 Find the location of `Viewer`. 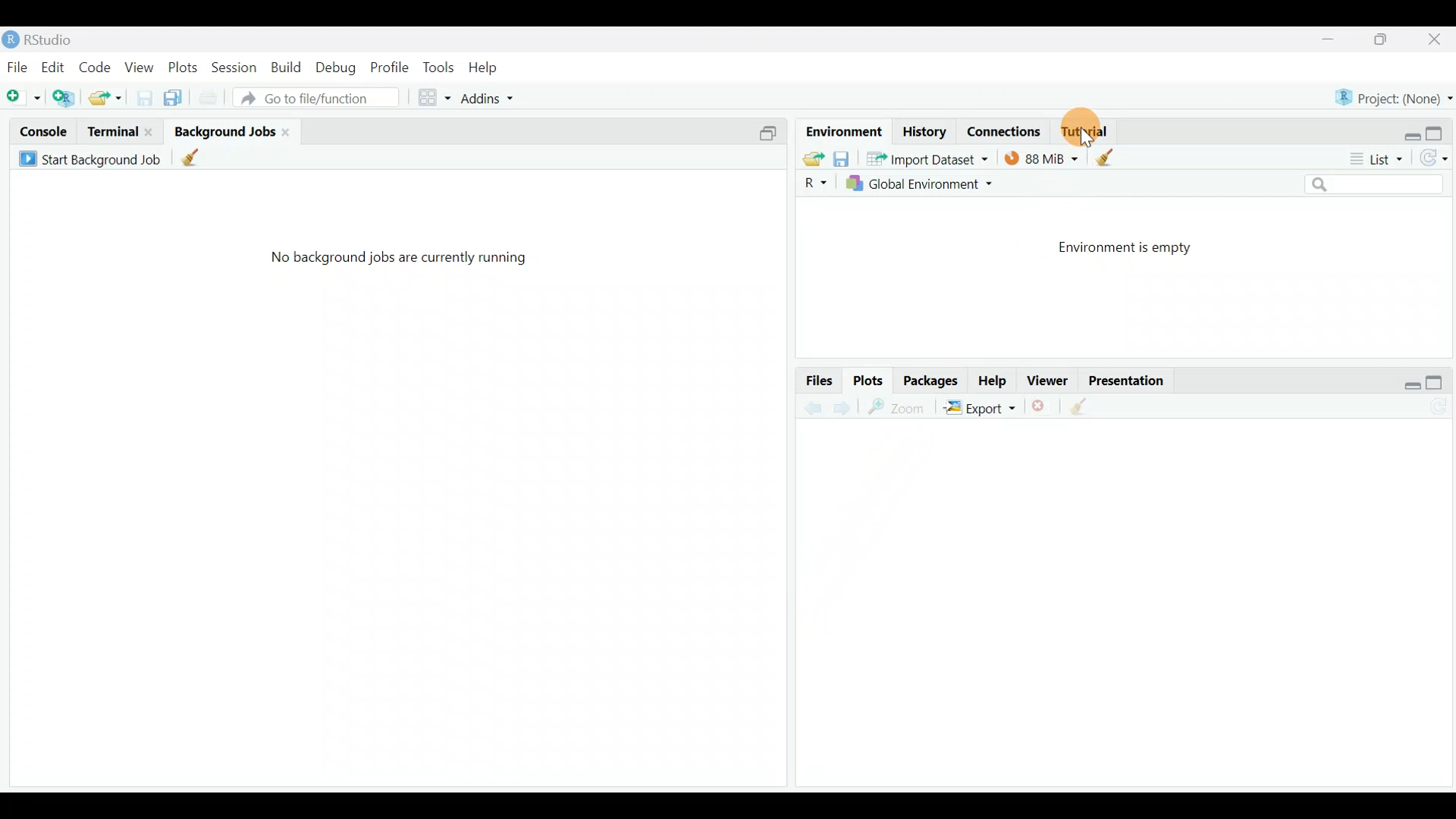

Viewer is located at coordinates (1051, 380).